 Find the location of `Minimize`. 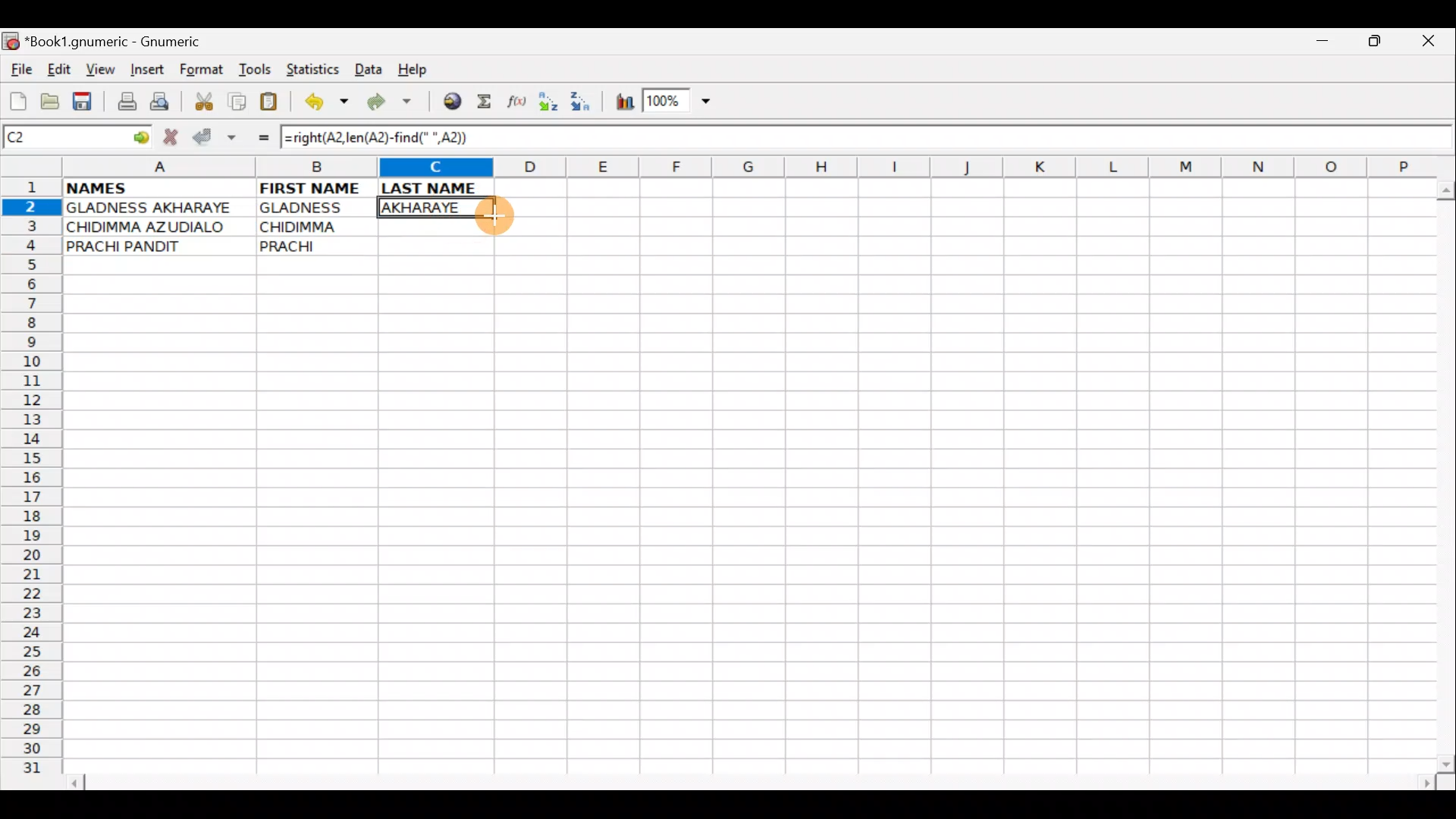

Minimize is located at coordinates (1319, 45).